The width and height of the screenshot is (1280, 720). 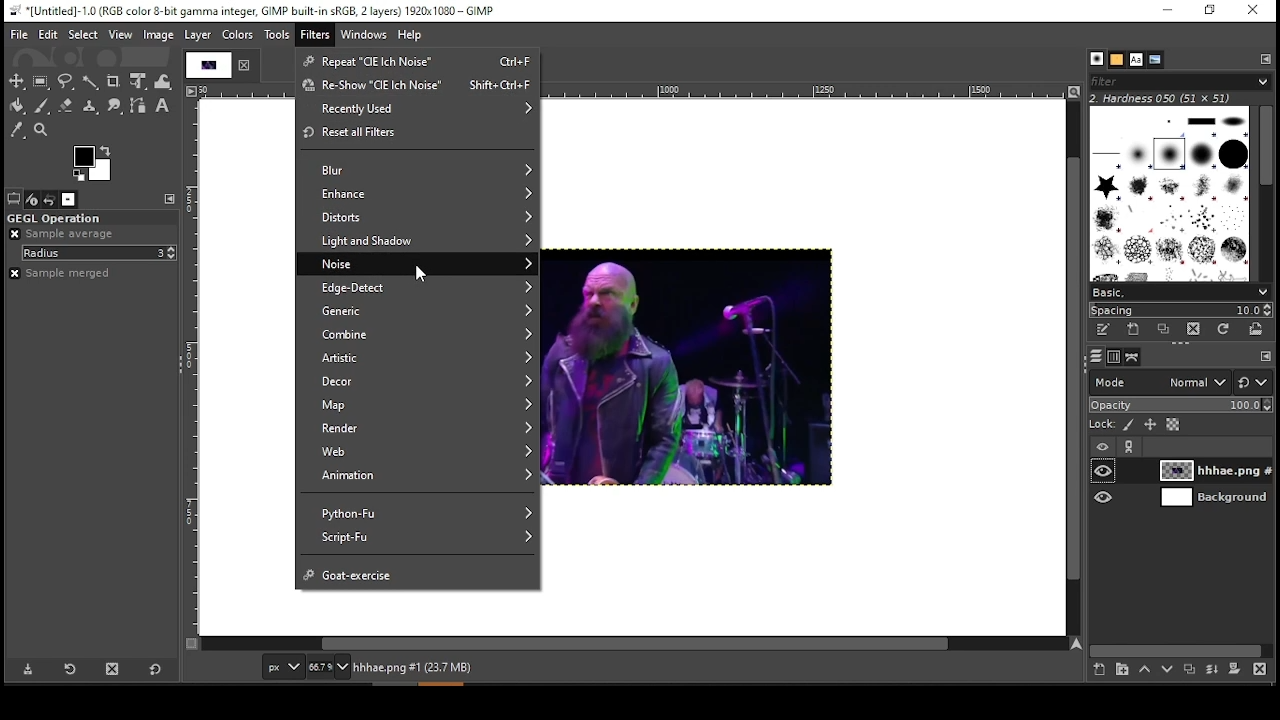 What do you see at coordinates (50, 198) in the screenshot?
I see `undo history` at bounding box center [50, 198].